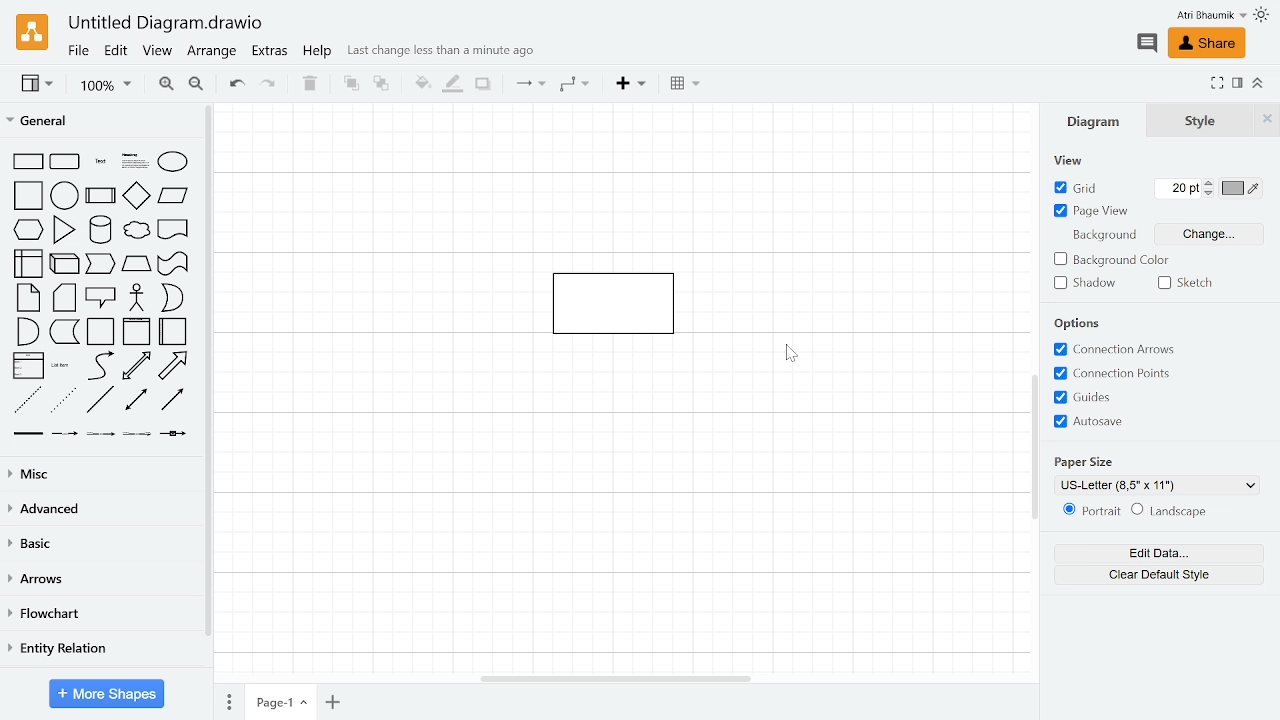 This screenshot has width=1280, height=720. What do you see at coordinates (169, 85) in the screenshot?
I see `Zoom in` at bounding box center [169, 85].